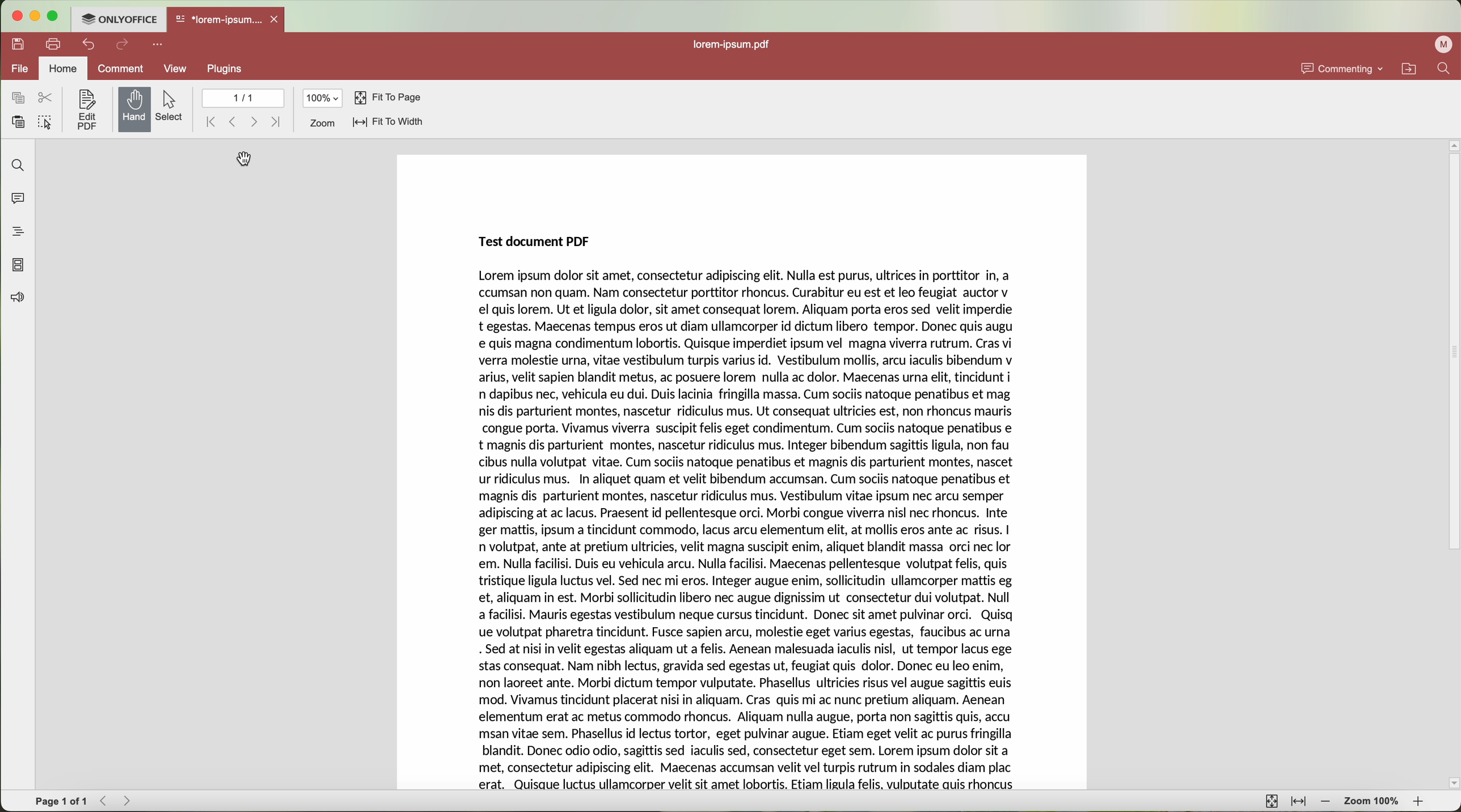 This screenshot has width=1461, height=812. What do you see at coordinates (751, 531) in the screenshot?
I see `Lorem ipsum dolor sit amet, consectetur adipiscing elit. Nulla est purus, ultrices in porttitor In, a
ccumsan non quam. Nam consectetur porttitor rhoncus. Curabitur eu est et leo feugiat auctor v
el quis lorem. Ut et ligula dolor, sit amet consequat lorem. Aliquam porta eros sed velit imperdie
t egestas. Maecenas tempus eros ut diam ullamcorper id dictum libero tempor. Donec quis augu
e quis magna condimentum lobortis. Quisque imperdiet ipsum vel magna viverra rutrum. Cras vi
verra molestie urna, vitae vestibulum turpis varius id. Vestibulum mollis, arcu iaculis bibendum v
arius, velit sapien blandit metus, ac posuere lorem nulla ac dolor. Maecenas urna elit, tincidunt i
n dapibus nec, vehicula eu dui. Duis lacinia fringilla massa. Cum sociis natoque penatibus et mag
nis dis parturient montes, nascetur ridiculus mus. Ut consequat ultricies est, non rhoncus mauris
congue porta. Vivamus viverra suscipit felis eget condimentum. Cum sociis natoque penatibus e
t magnis dis parturient montes, nascetur ridiculus mus. Integer bibendum sagittis ligula, non fau
cibus nulla volutpat vitae. Cum sociis natoque penatibus et magnis dis parturient montes, nascet
ur ridiculus mus. In aliquet quam et velit bibendum accumsan. Cum sociis natoque penatibus et
magnis dis parturient montes, nascetur ridiculus mus. Vestibulum vitae ipsum nec arcu semper
adipiscing at ac lacus. Praesent id pellentesque orci. Morbi congue viverra nisl nec rhoncus. Inte
ger mattis, ipsum a tincidunt commodo, lacus arcu elementum elit, at mollis eros ante ac risus. |
n volutpat, ante at pretium ultricies, velit magna suscipit enim, aliquet blandit massa orci nec lor
em. Nulla facilisi. Duis eu vehicula arcu. Nulla facilisi. Maecenas pellentesque volutpat felis, quis
tristique ligula luctus vel. Sed nec mi eros. Integer augue enim, sollicitudin ullamcorper mattis eg
et, aliquam in est. Morbi sollicitudin libero nec augue dignissim ut consectetur dui volutpat. Null
a facilisi. Mauris egestas vestibulum neque cursus tincidunt. Donec sit amet pulvinar orci. Quisq
ue volutpat pharetra tincidunt. Fusce sapien arcu, molestie eget varius egestas, faucibus ac urna
. Sed at nisi in velit egestas aliquam ut a felis. Aenean malesuada iaculis nisl, ut tempor lacus ege
stas consequat. Nam nibh lectus, gravida sed egestas ut, feugiat quis dolor. Donec eu leo enim,
non laoreet ante. Morbi dictum tempor vulputate. Phasellus ultricies risus vel augue sagittis euis
mod. Vivamus tincidunt placerat nisi in aliquam. Cras quis mi ac nunc pretium aliquam. Aenean
elementum erat ac metus commodo rhoncus. Aliquam nulla augue, porta non sagittis quis, accu
msan vitae sem. Phasellus id lectus tortor, eget pulvinar augue. Etiam eget velit ac purus fringilla
blandit. Donec odio odio, sagittis sed iaculis sed, consectetur eget sem. Lorem ipsum dolor sit a
met, consectetur adipiscing elit. Maecenas accumsan velit vel turpis rutrum in sodales diam plac
erat. Quisque luctus ullamcorper velit sit amet lobortis. Etiam ligula felis, vulputate auis rhoncus` at bounding box center [751, 531].